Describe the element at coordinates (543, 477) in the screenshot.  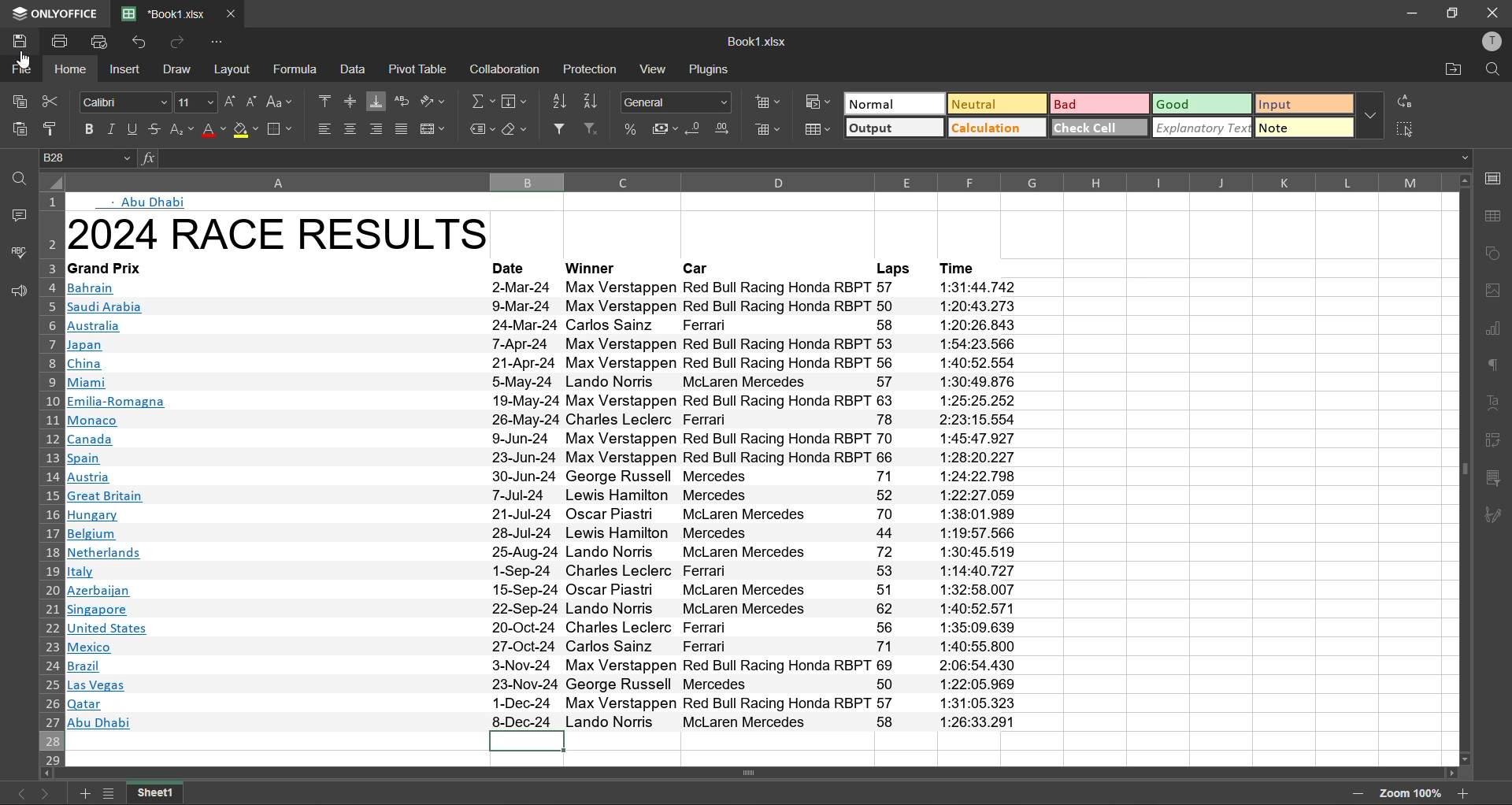
I see `Austria 30-Jun-24 George Russell Mercedes 71 1:24:22.798` at that location.